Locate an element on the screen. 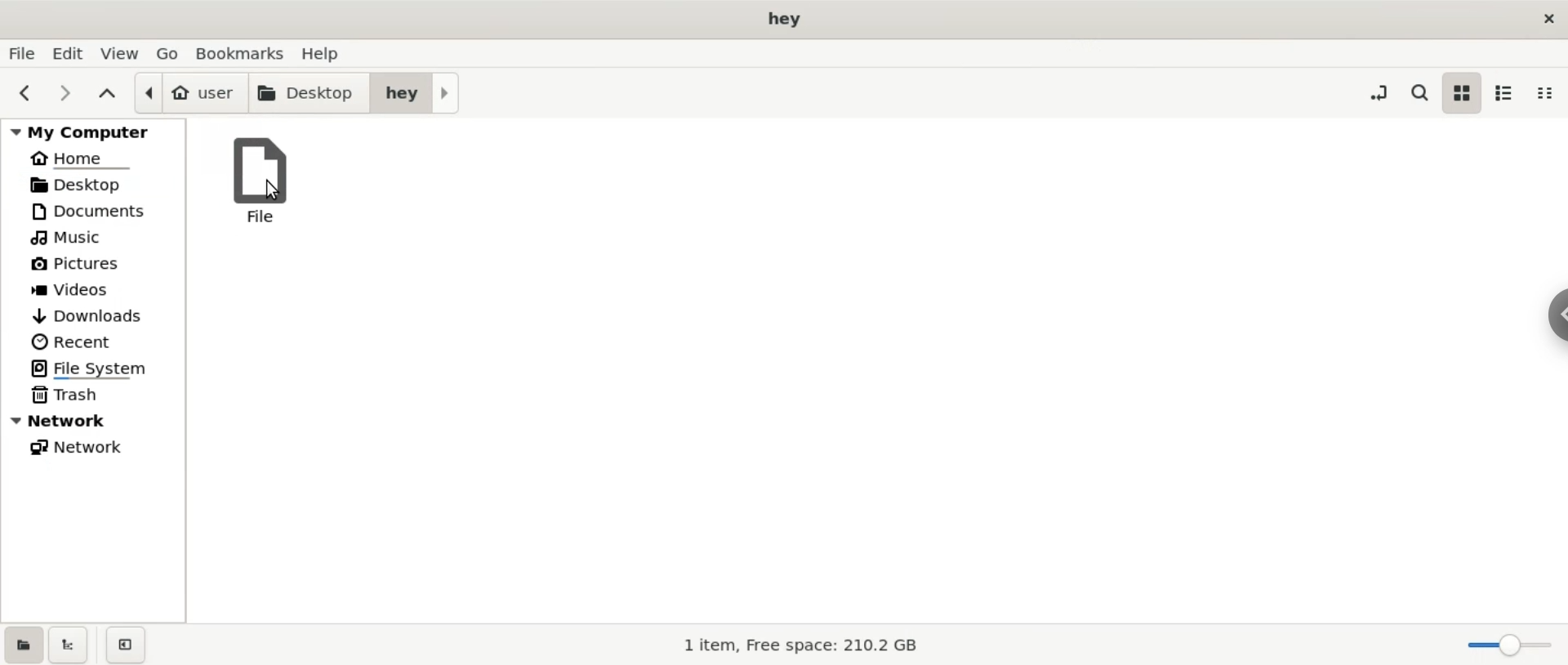 The height and width of the screenshot is (665, 1568). compact view is located at coordinates (1551, 94).